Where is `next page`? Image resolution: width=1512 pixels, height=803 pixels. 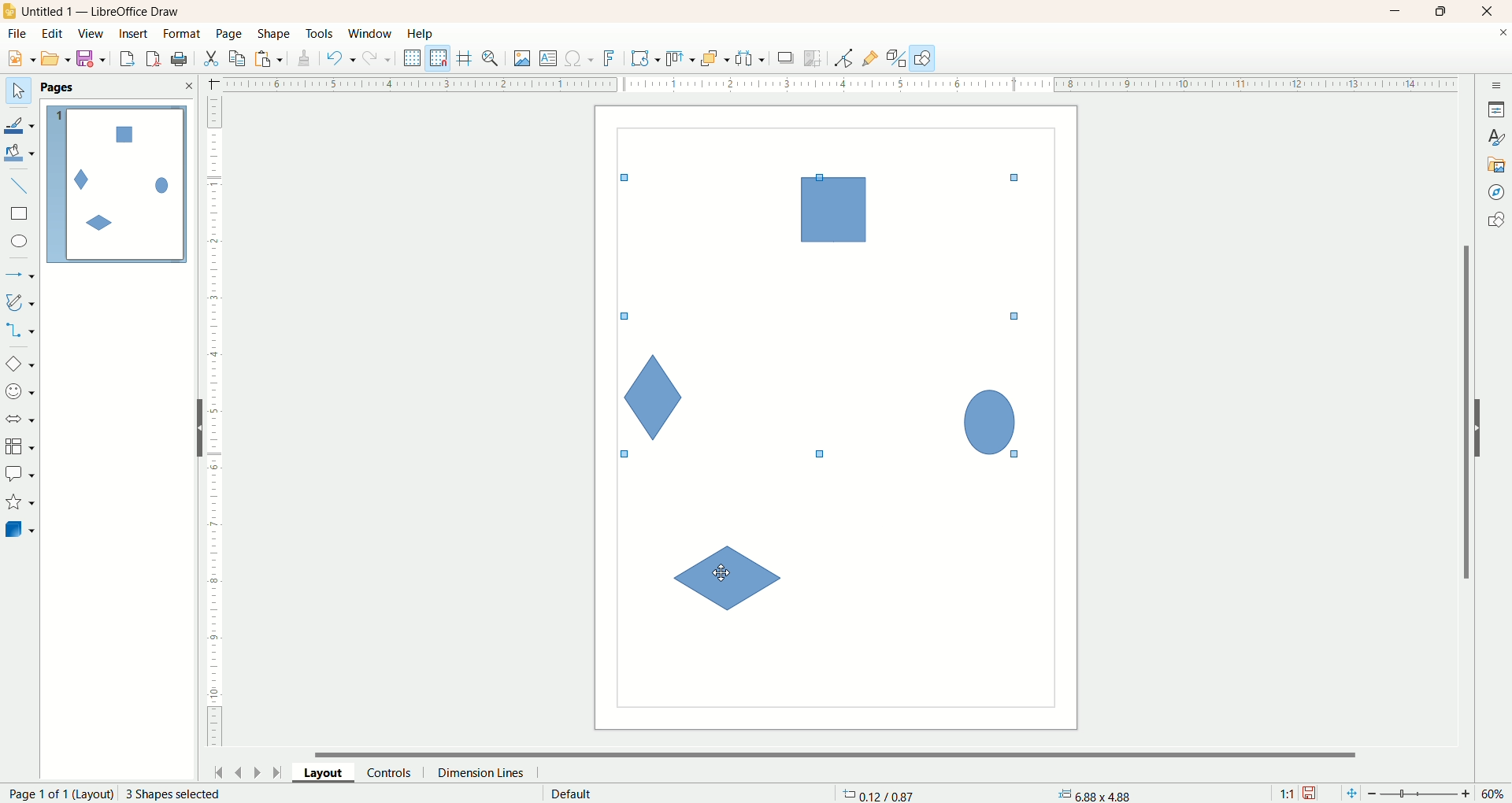 next page is located at coordinates (258, 772).